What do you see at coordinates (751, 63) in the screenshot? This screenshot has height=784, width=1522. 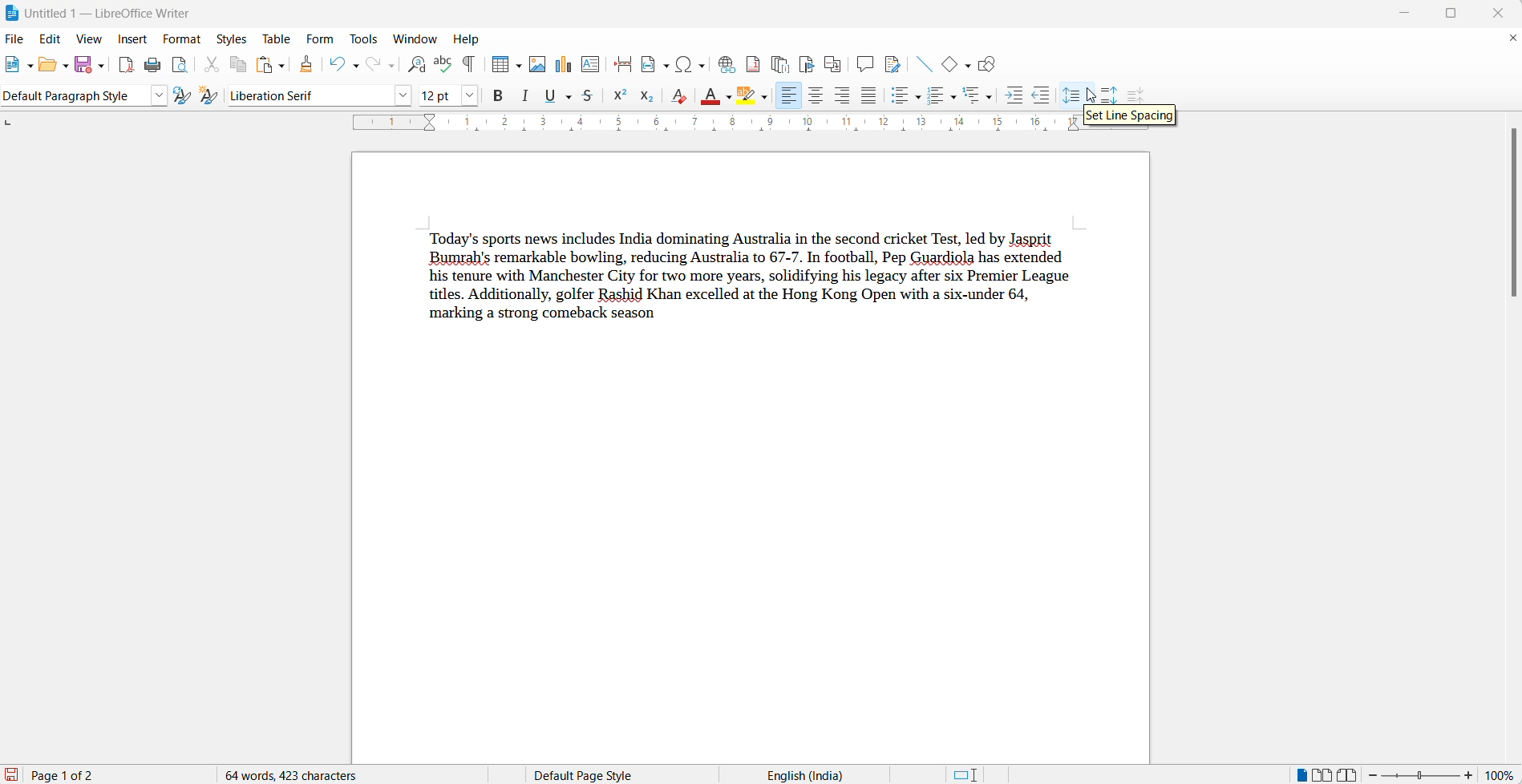 I see `insert footnote` at bounding box center [751, 63].